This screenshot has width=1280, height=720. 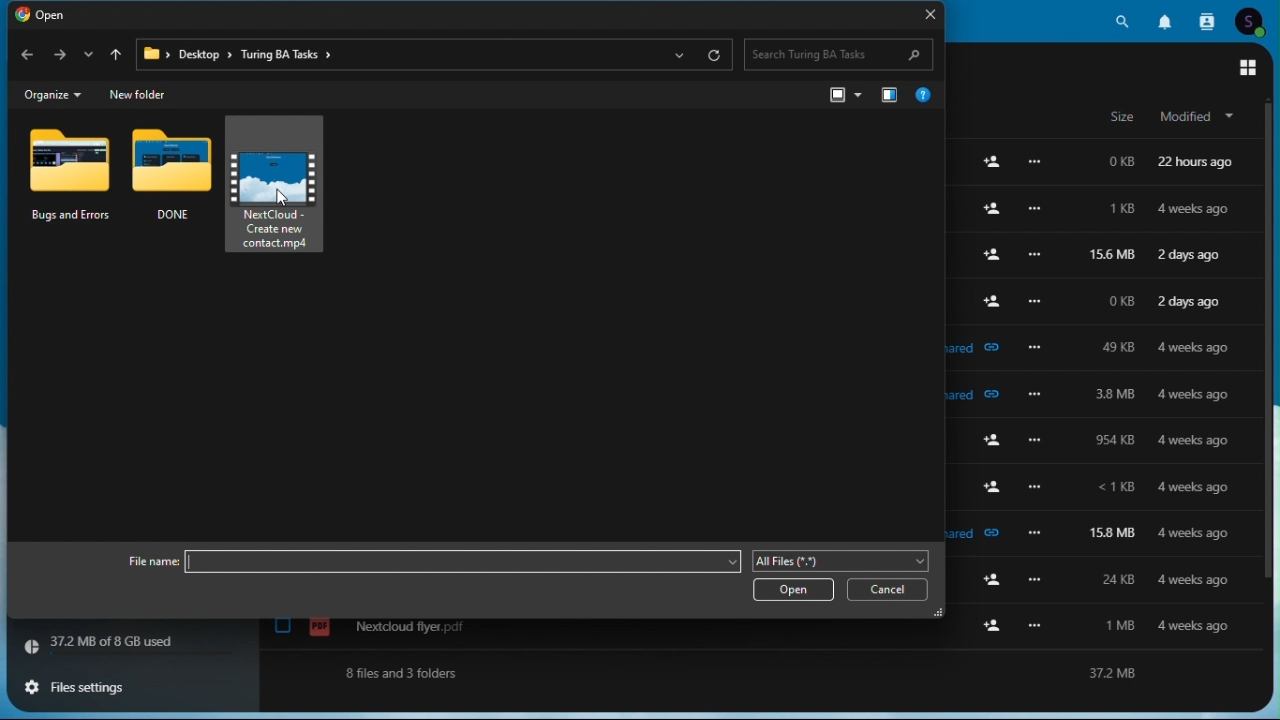 I want to click on shared, so click(x=979, y=350).